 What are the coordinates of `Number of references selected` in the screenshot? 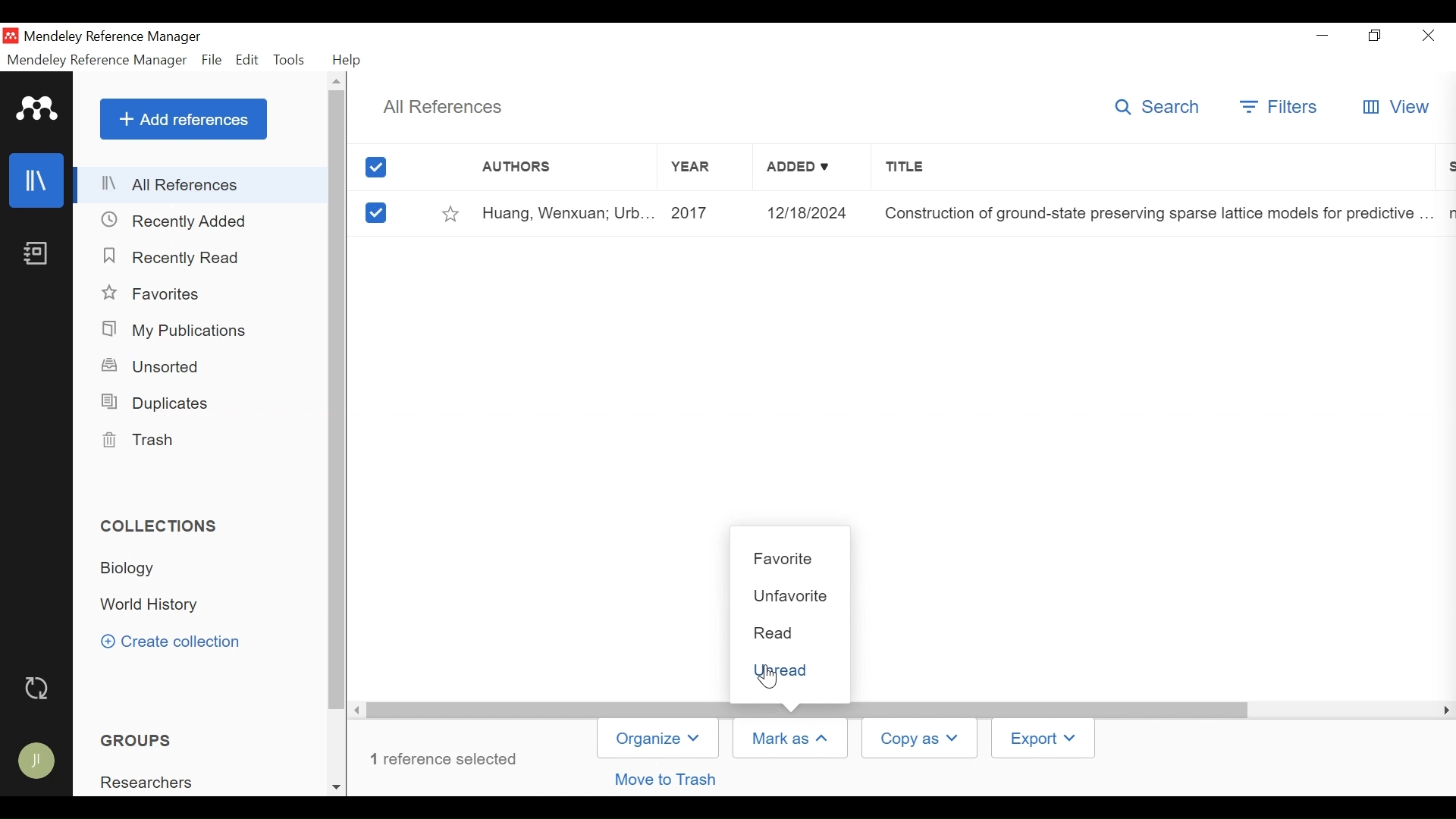 It's located at (442, 757).